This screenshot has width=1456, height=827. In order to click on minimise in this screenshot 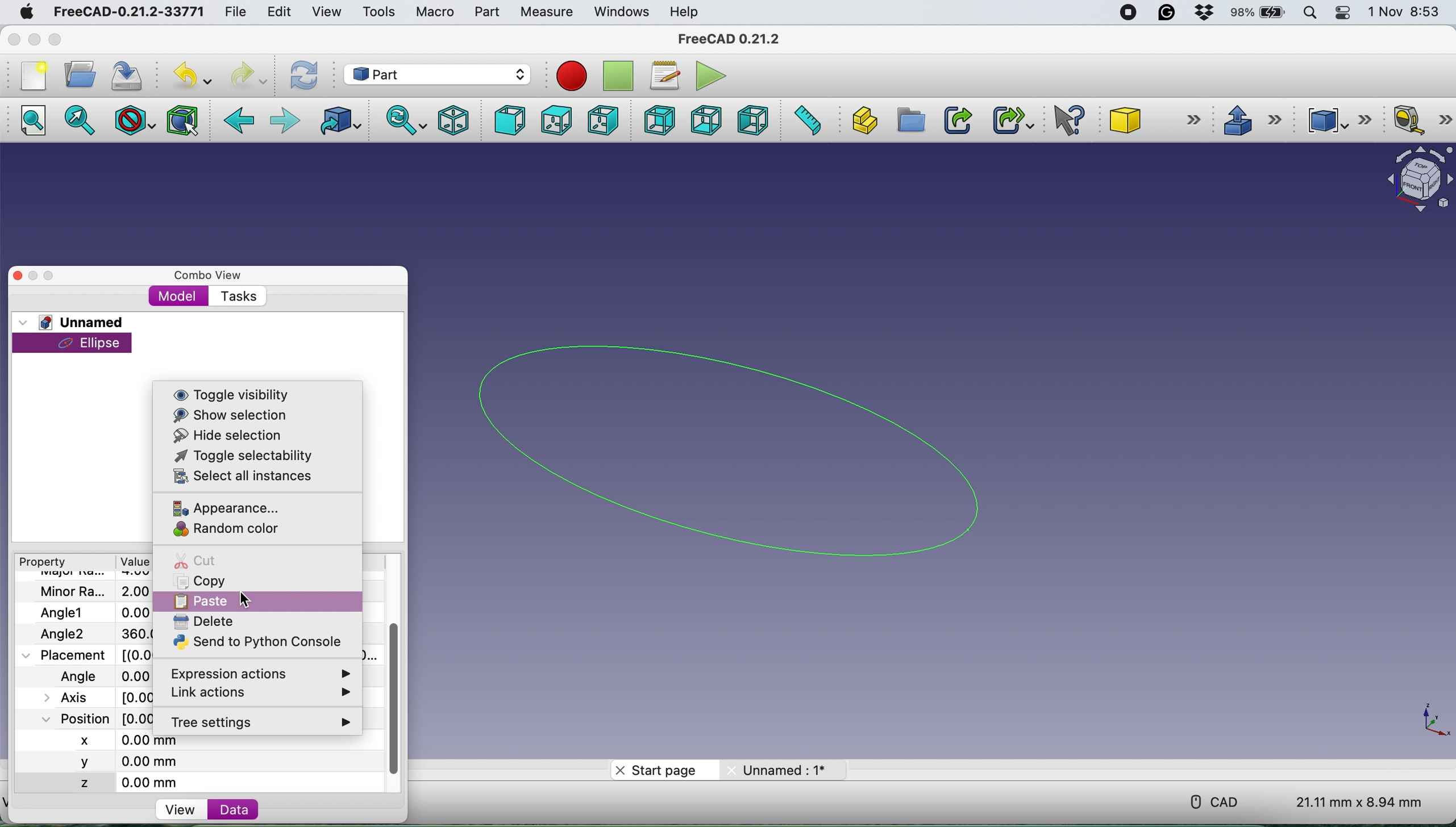, I will do `click(34, 275)`.